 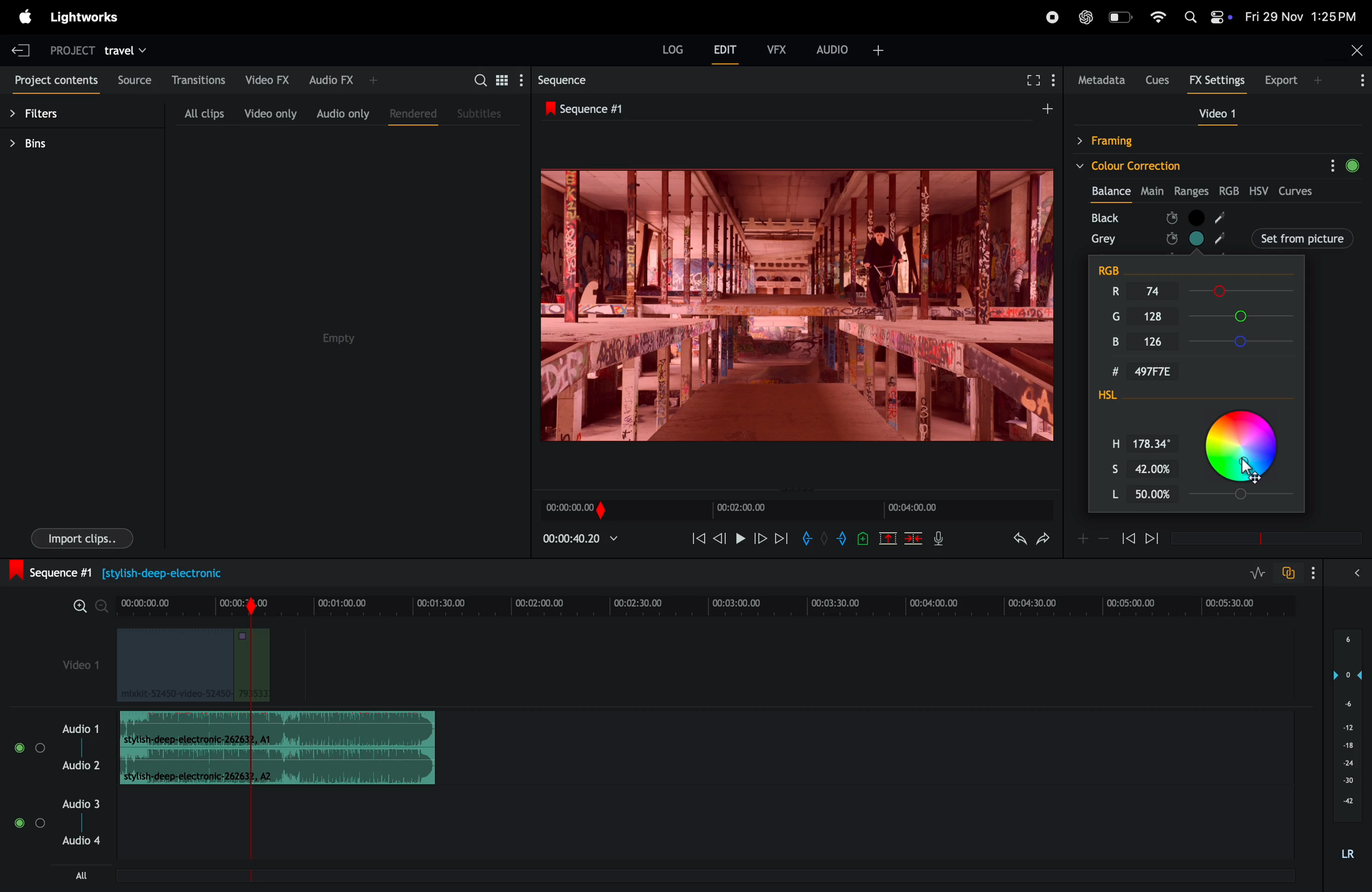 I want to click on black, so click(x=1110, y=217).